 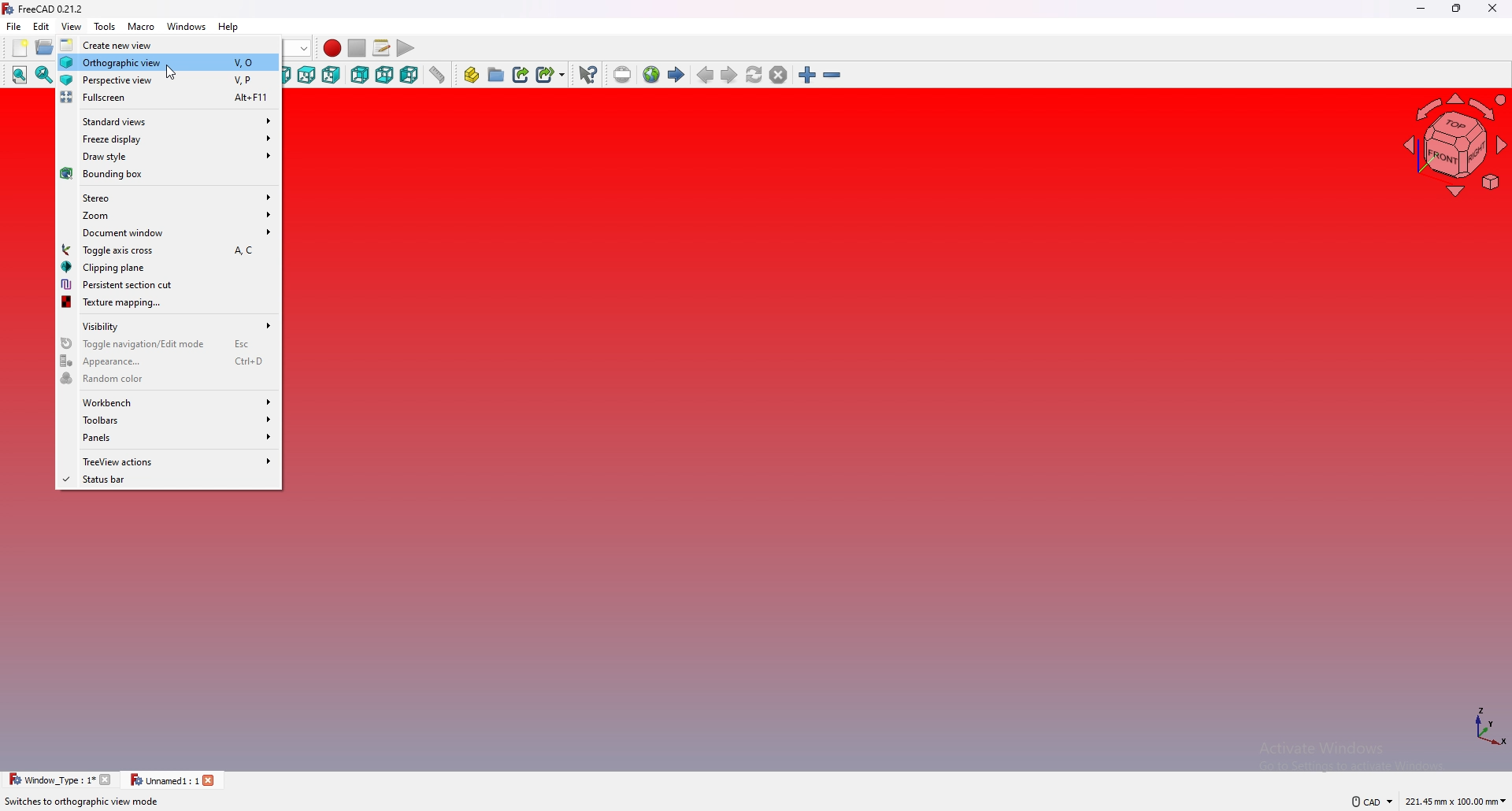 What do you see at coordinates (286, 75) in the screenshot?
I see `front` at bounding box center [286, 75].